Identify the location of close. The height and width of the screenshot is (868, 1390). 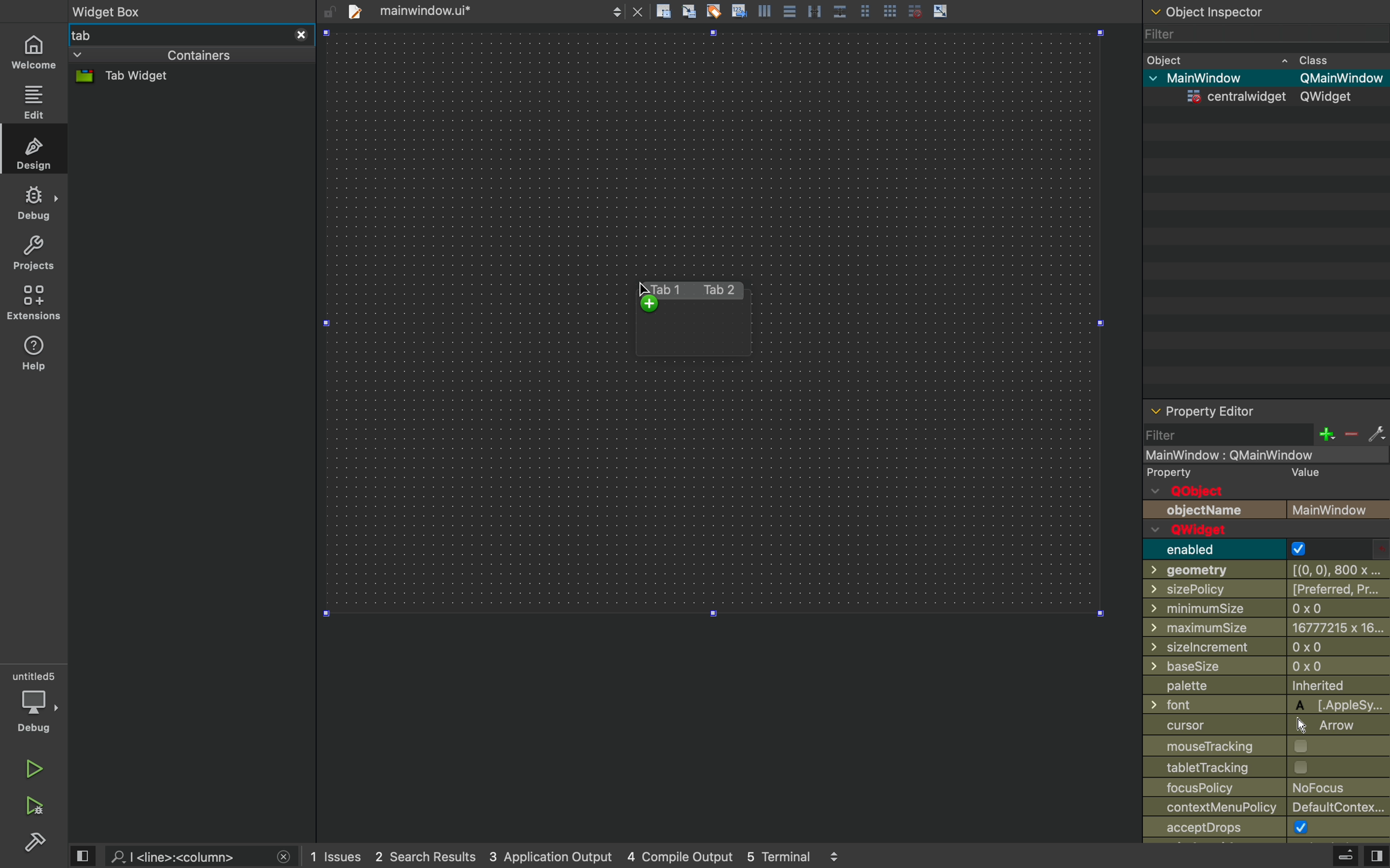
(638, 11).